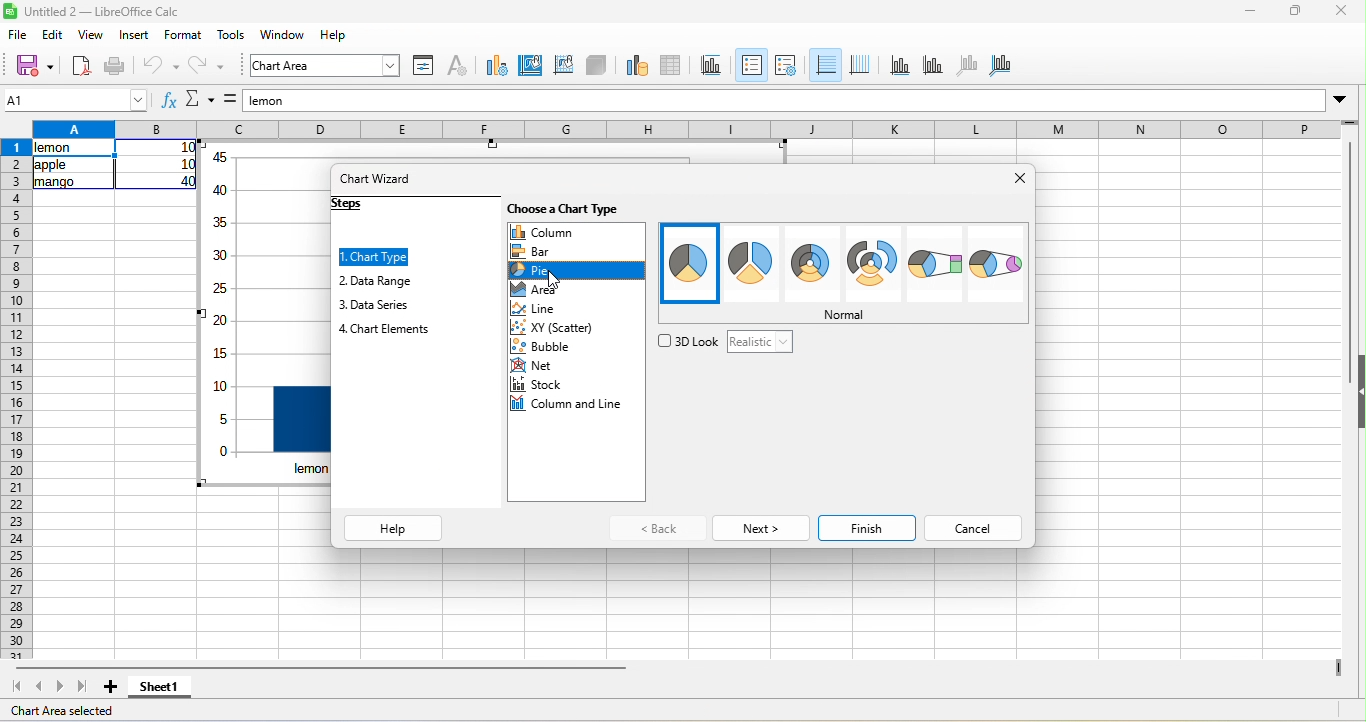 Image resolution: width=1366 pixels, height=722 pixels. I want to click on export directly as pdf, so click(82, 65).